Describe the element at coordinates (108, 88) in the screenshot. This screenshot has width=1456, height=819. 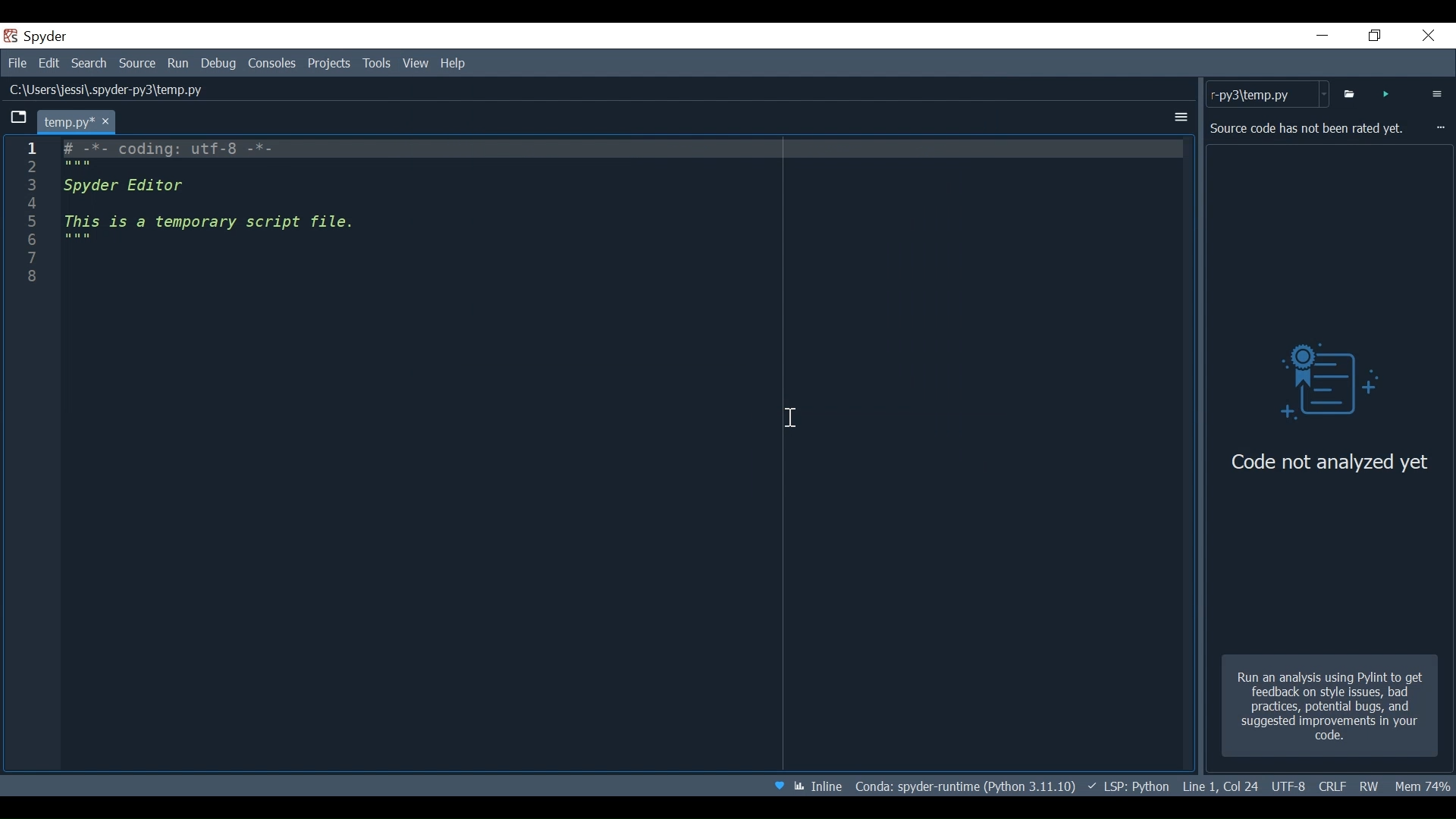
I see `C:\Users\jessi\.spyder-pys\temp.py` at that location.